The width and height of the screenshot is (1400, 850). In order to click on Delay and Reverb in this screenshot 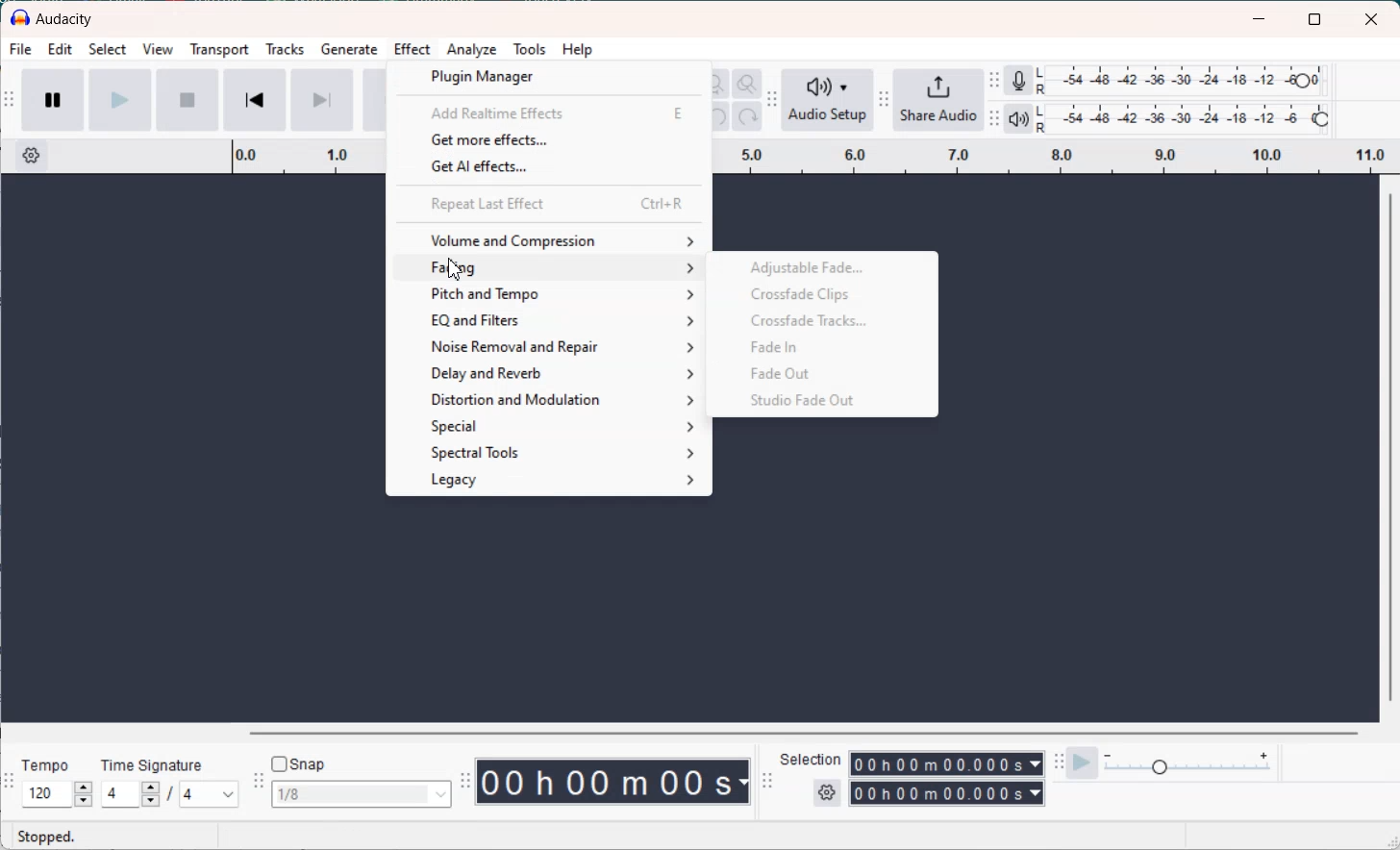, I will do `click(550, 372)`.